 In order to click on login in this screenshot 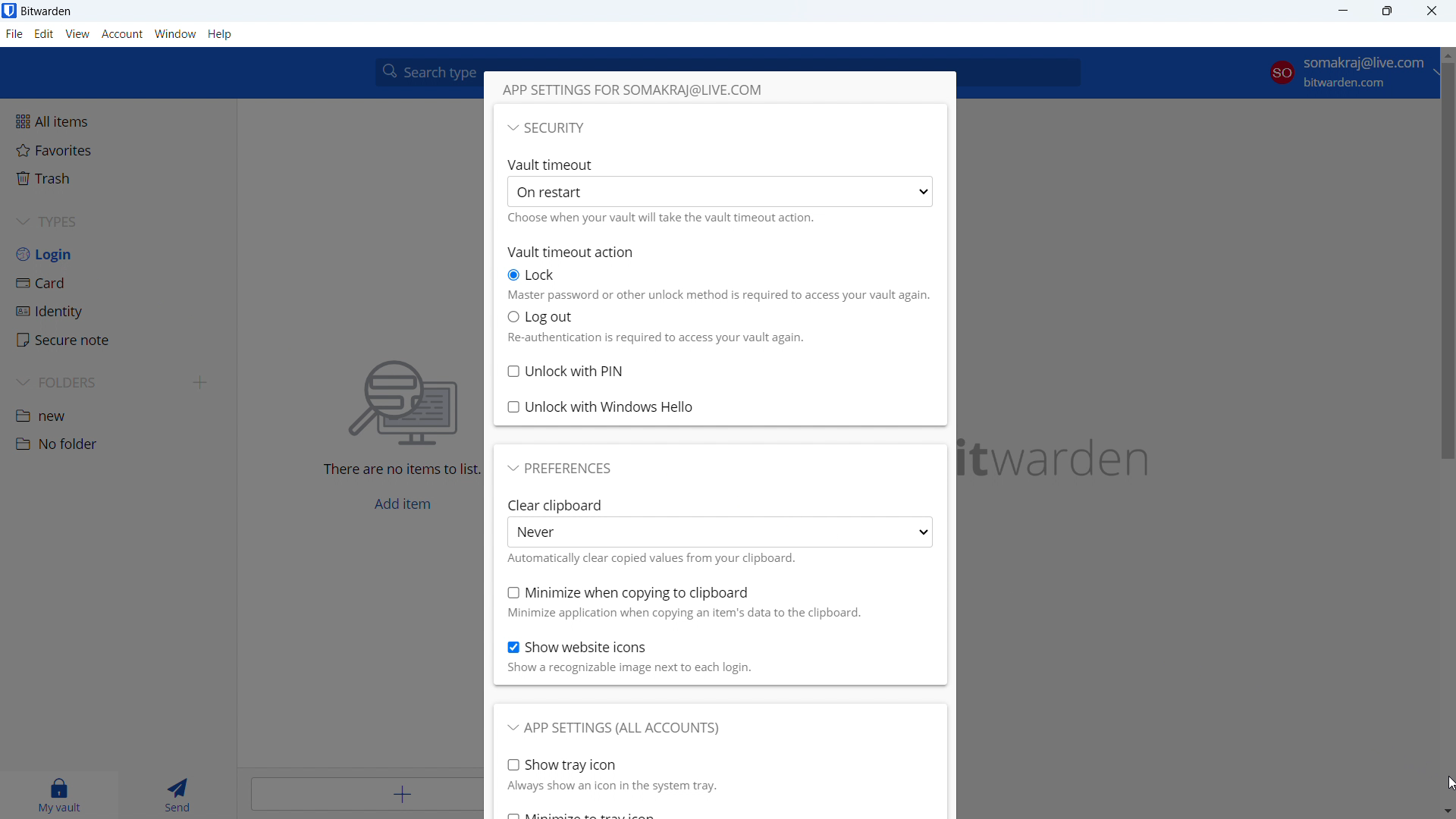, I will do `click(118, 254)`.